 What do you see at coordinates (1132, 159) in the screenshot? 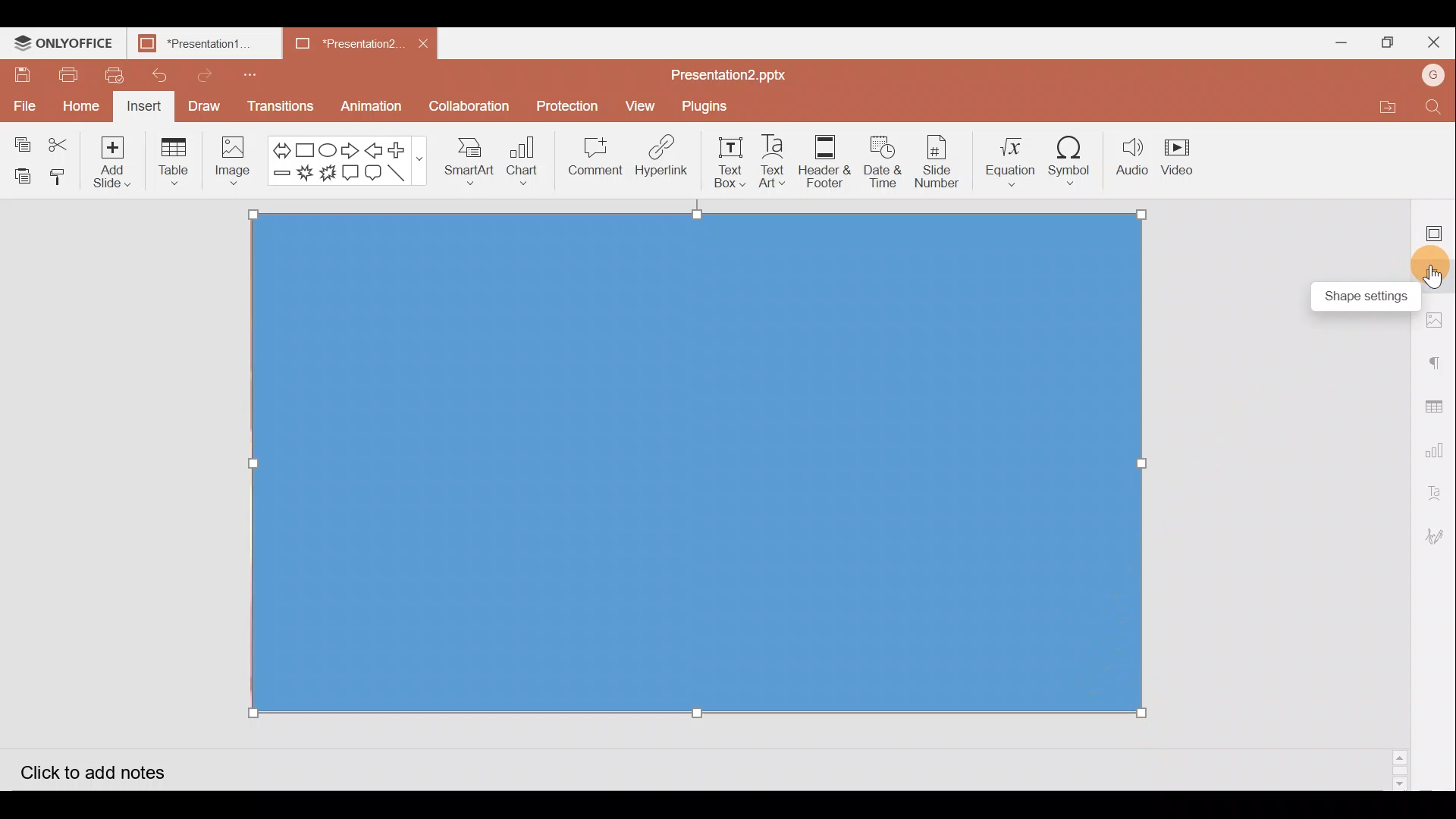
I see `Audio` at bounding box center [1132, 159].